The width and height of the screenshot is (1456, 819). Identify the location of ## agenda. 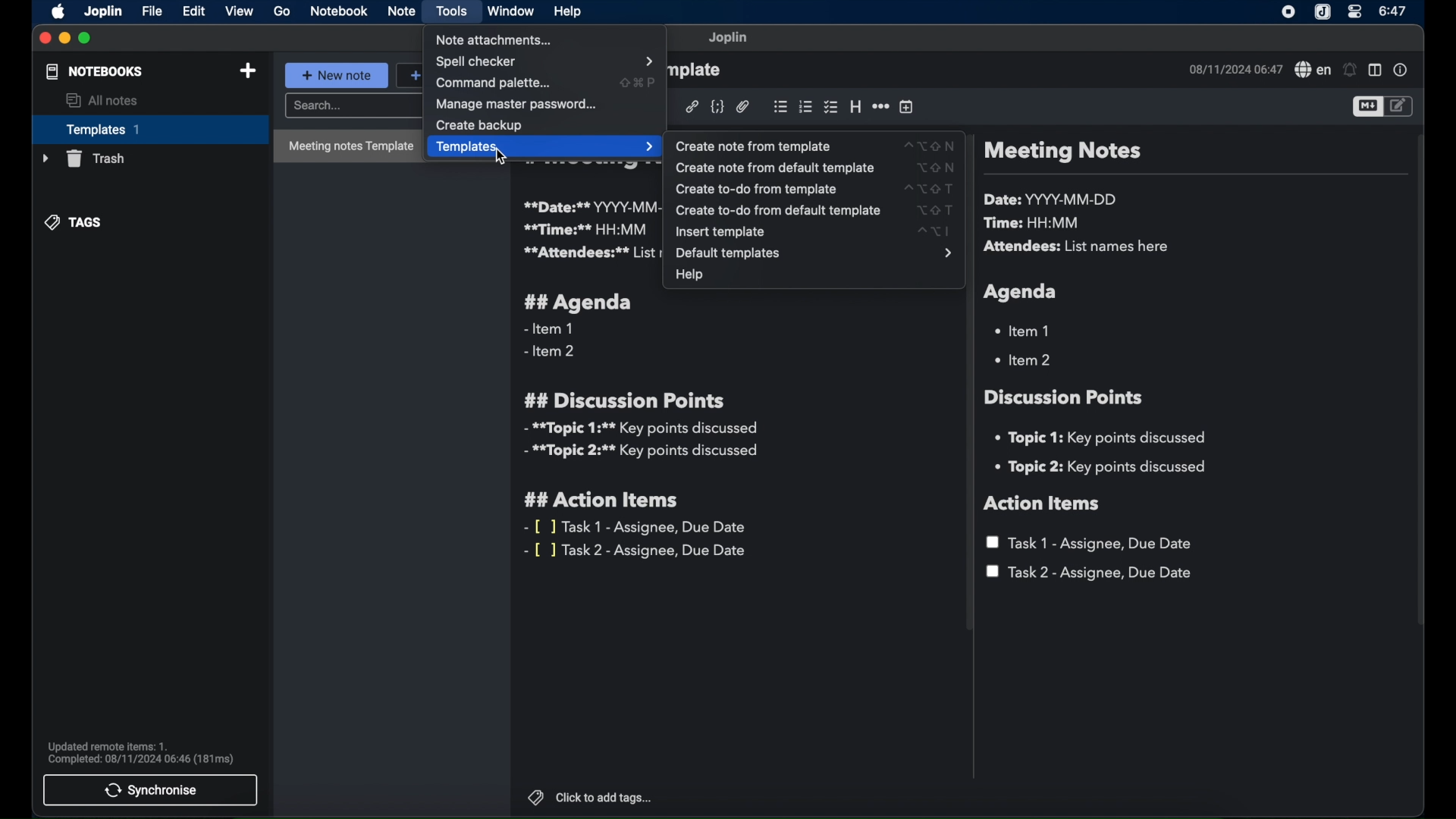
(579, 303).